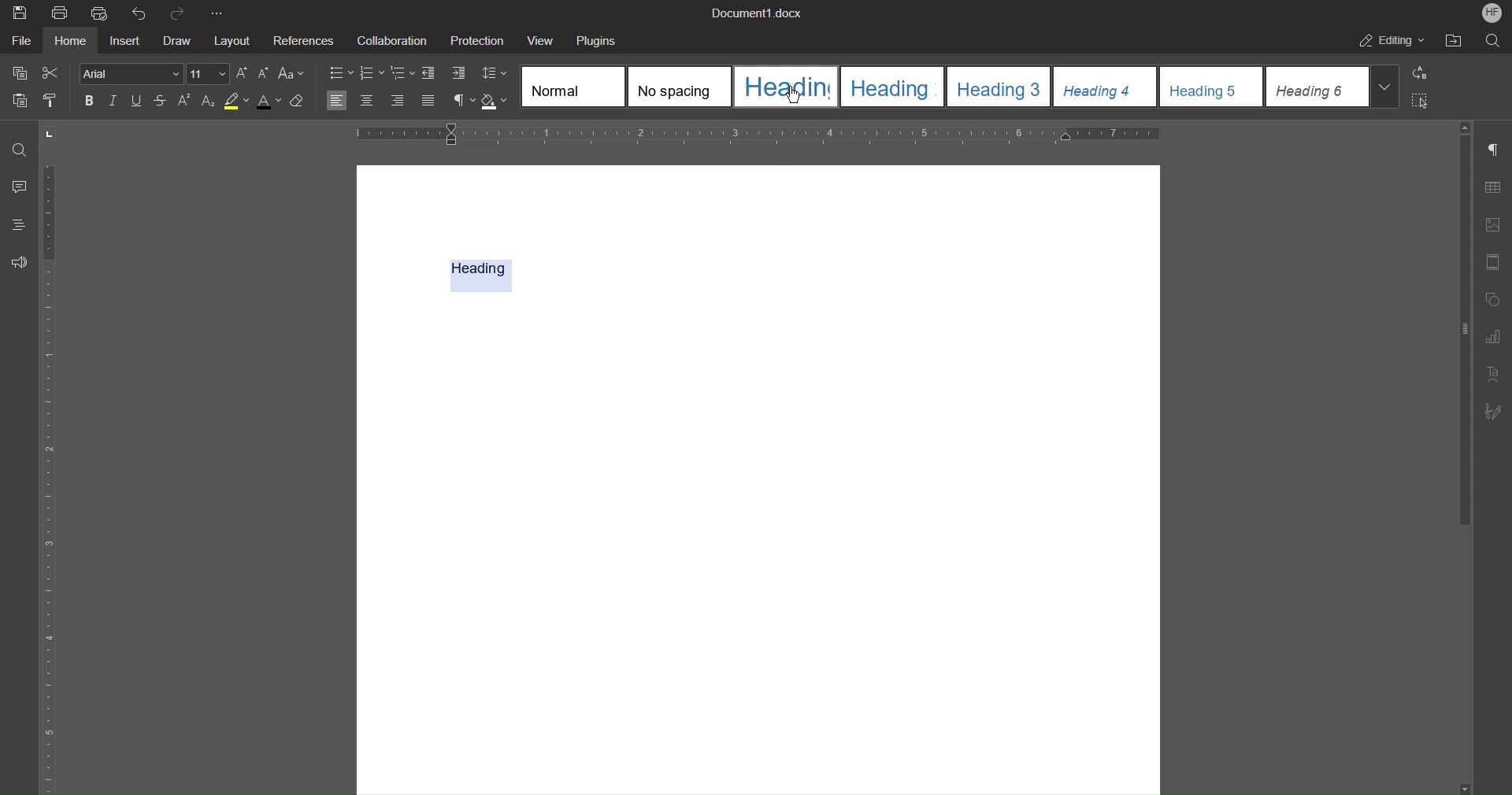  What do you see at coordinates (269, 103) in the screenshot?
I see `Text Color` at bounding box center [269, 103].